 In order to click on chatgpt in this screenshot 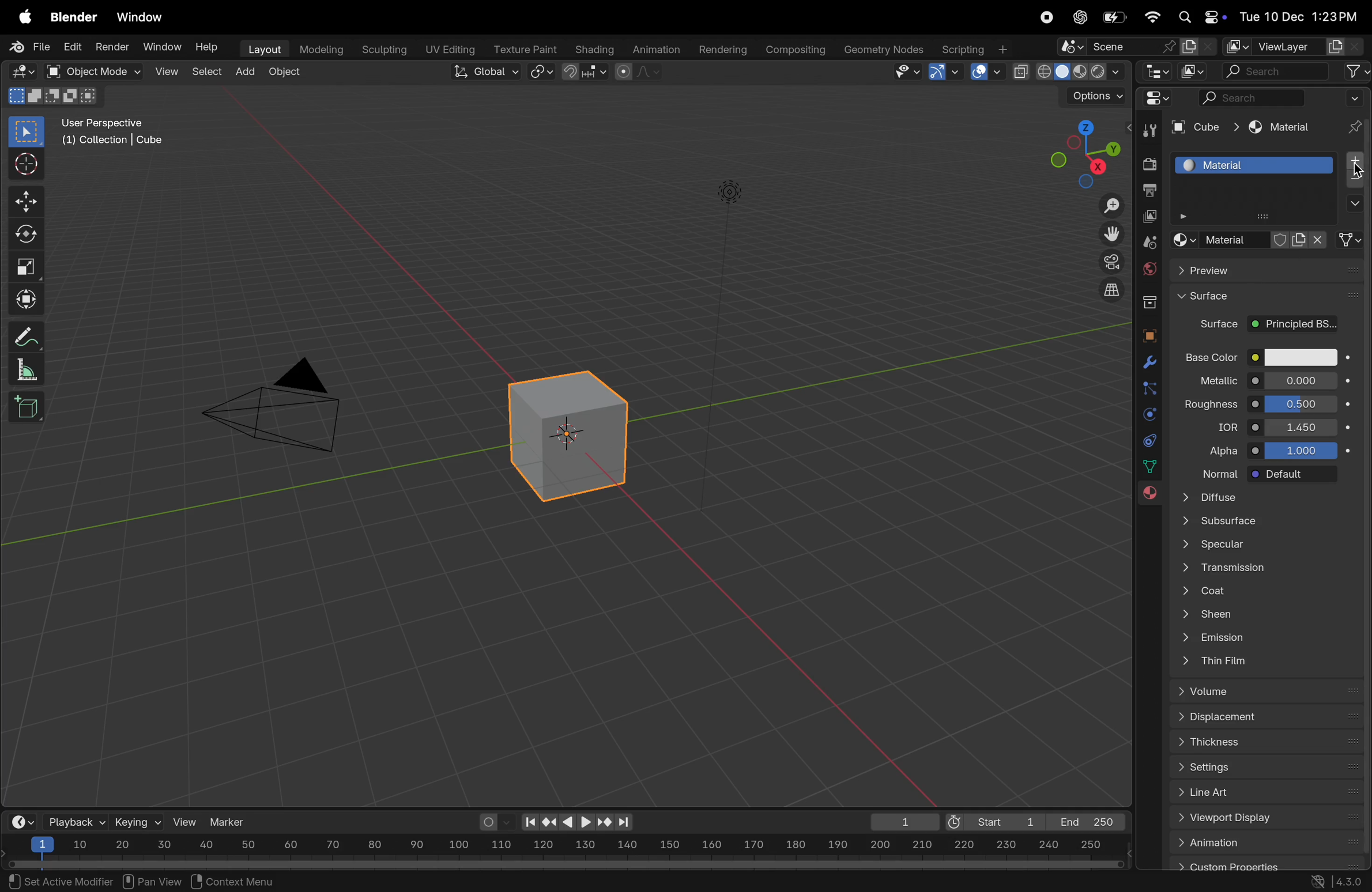, I will do `click(1078, 17)`.